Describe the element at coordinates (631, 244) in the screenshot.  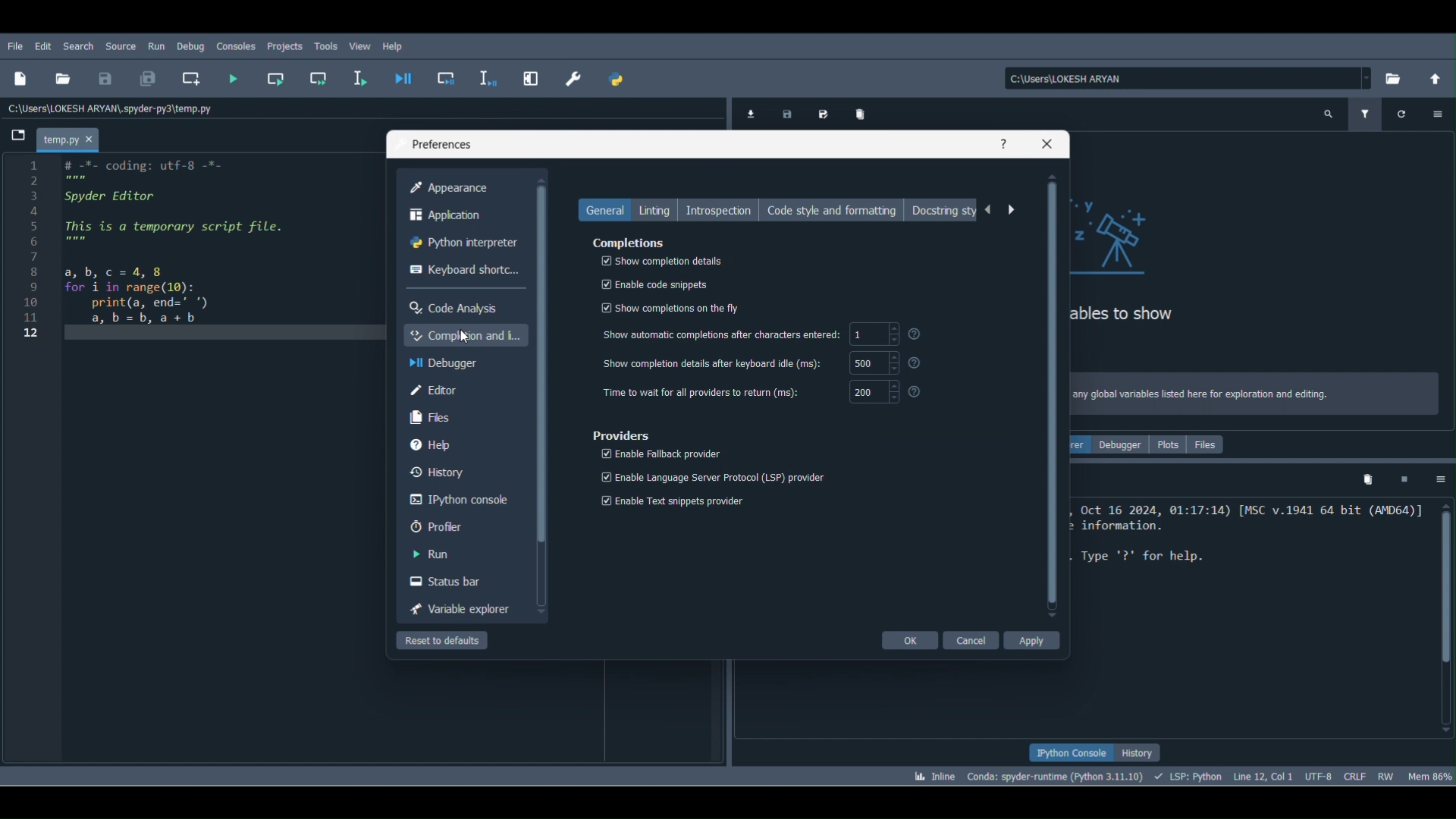
I see `Completions` at that location.